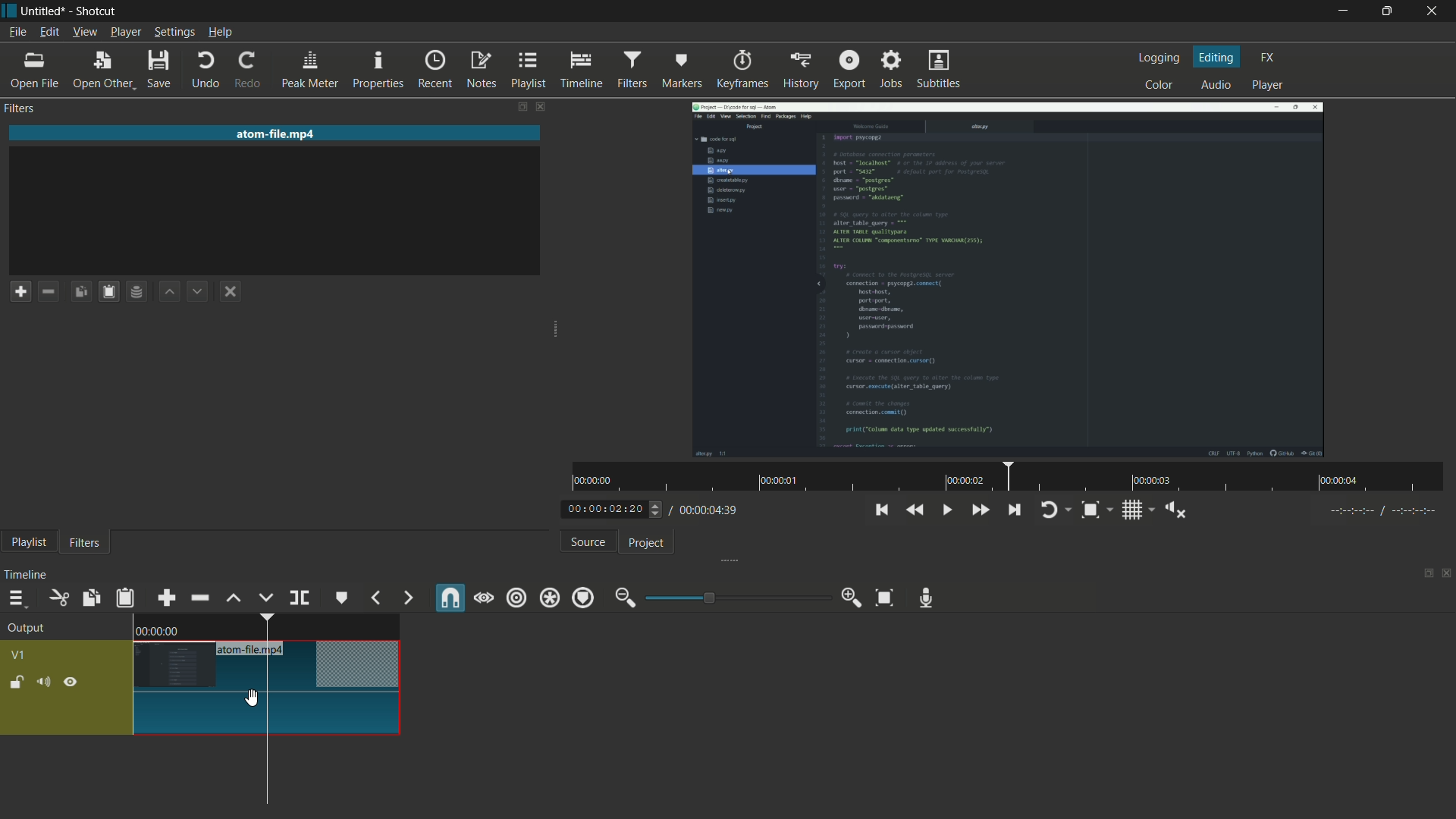 Image resolution: width=1456 pixels, height=819 pixels. Describe the element at coordinates (377, 71) in the screenshot. I see `properties` at that location.